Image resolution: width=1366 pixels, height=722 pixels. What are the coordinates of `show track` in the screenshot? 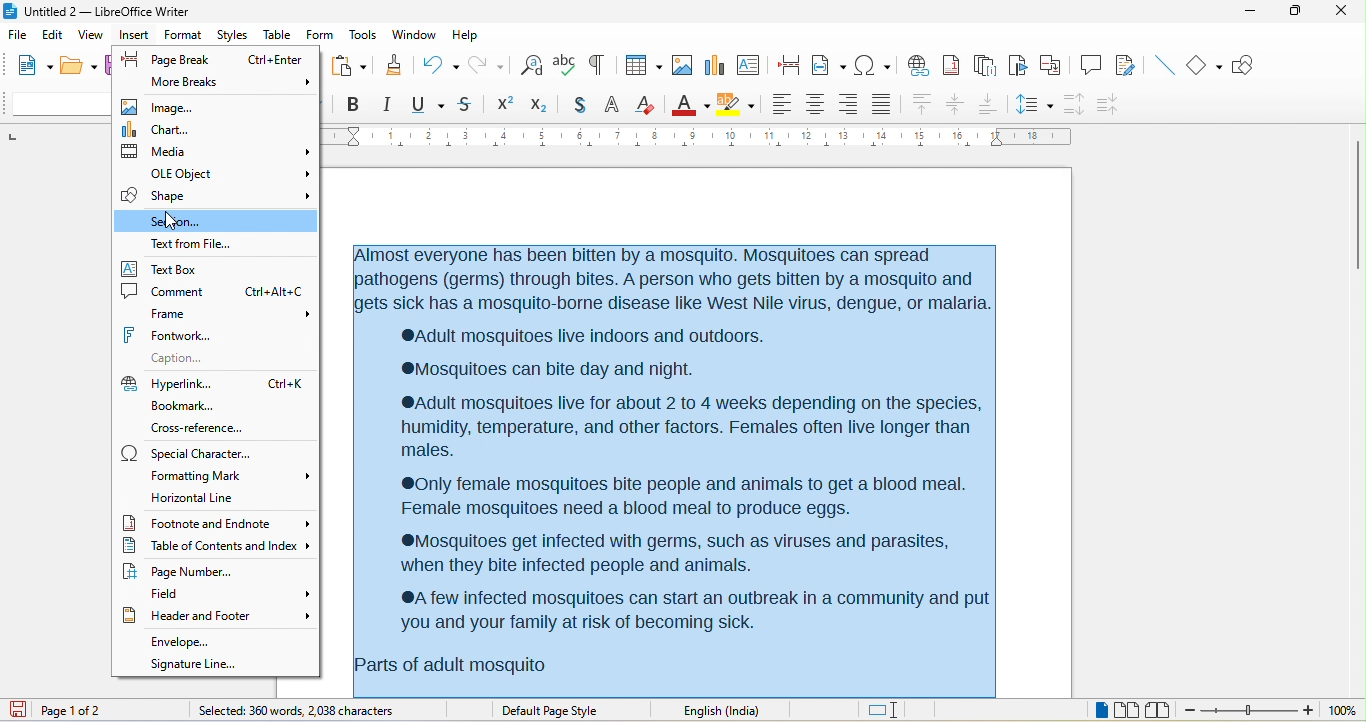 It's located at (1132, 66).